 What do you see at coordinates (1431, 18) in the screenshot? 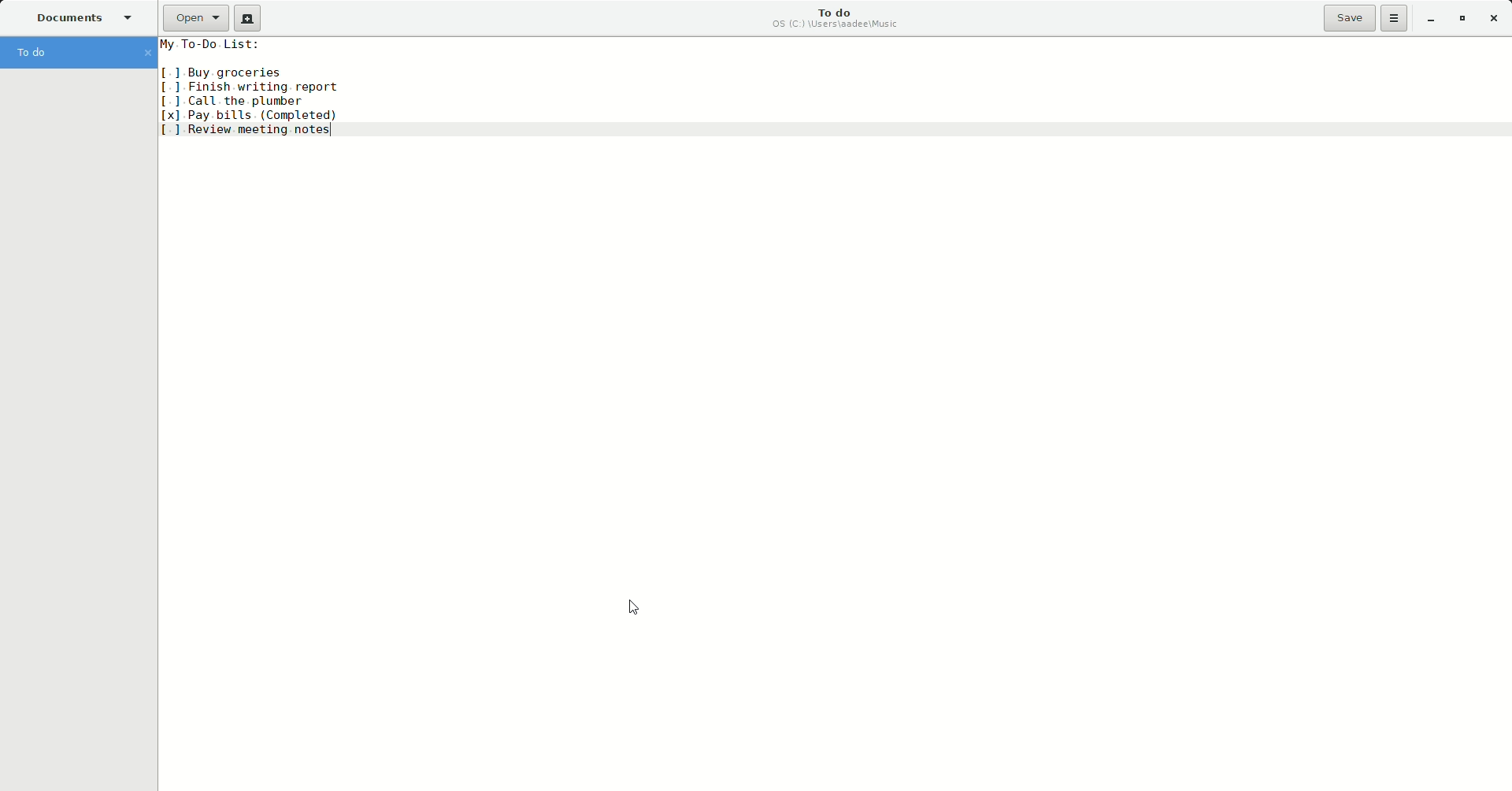
I see `Minimize` at bounding box center [1431, 18].